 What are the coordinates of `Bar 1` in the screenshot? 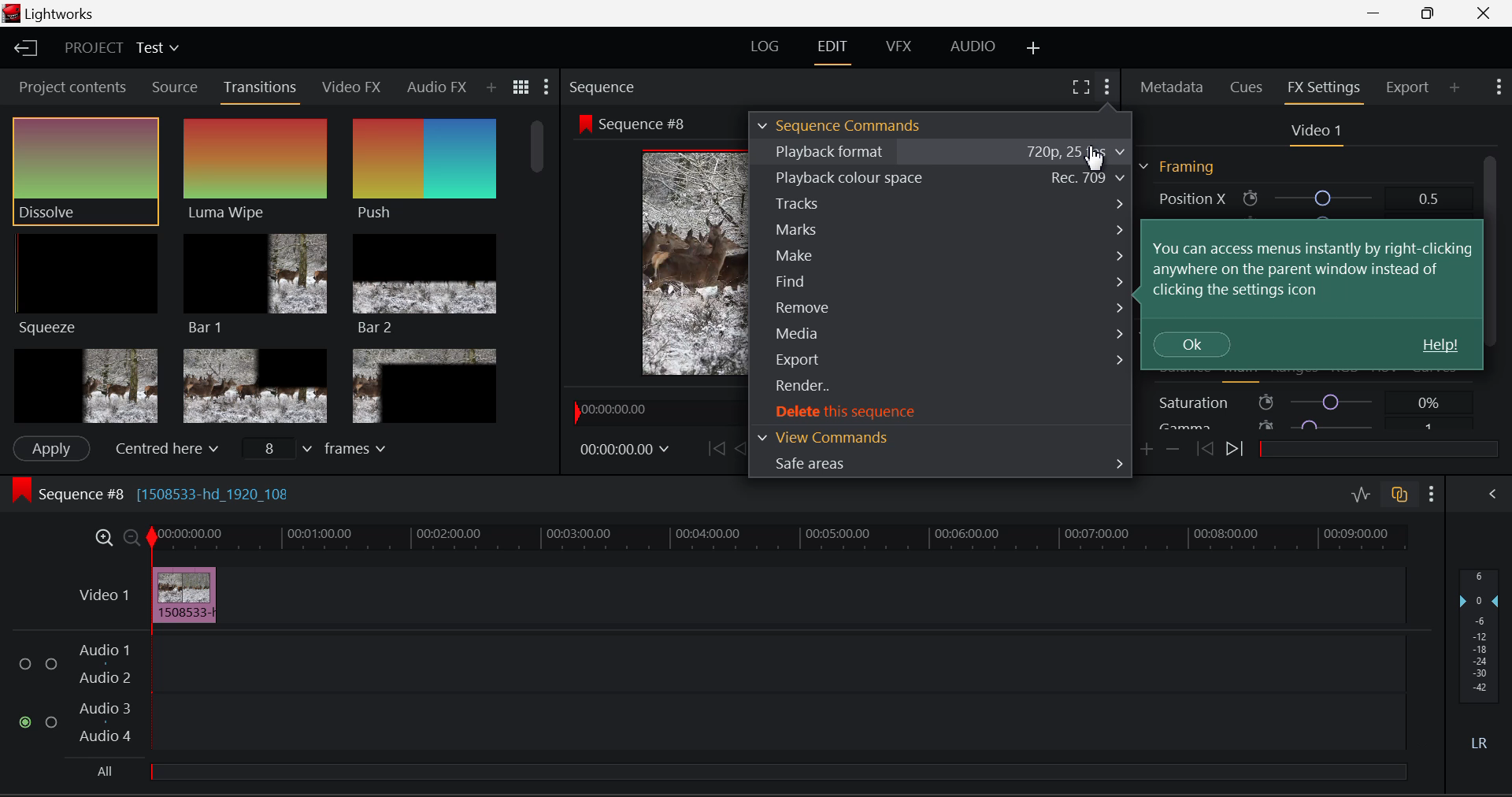 It's located at (255, 281).